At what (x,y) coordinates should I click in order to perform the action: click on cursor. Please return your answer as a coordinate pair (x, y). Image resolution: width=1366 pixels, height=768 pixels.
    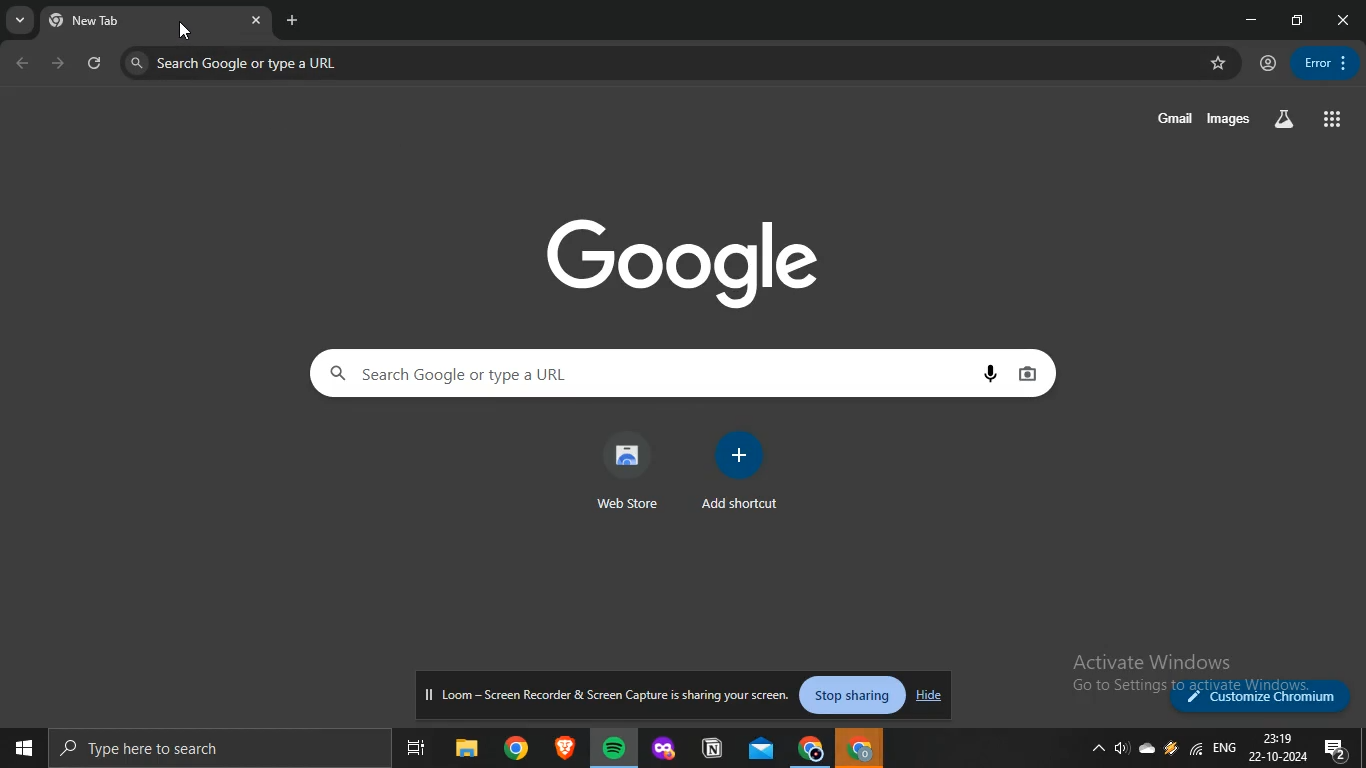
    Looking at the image, I should click on (183, 30).